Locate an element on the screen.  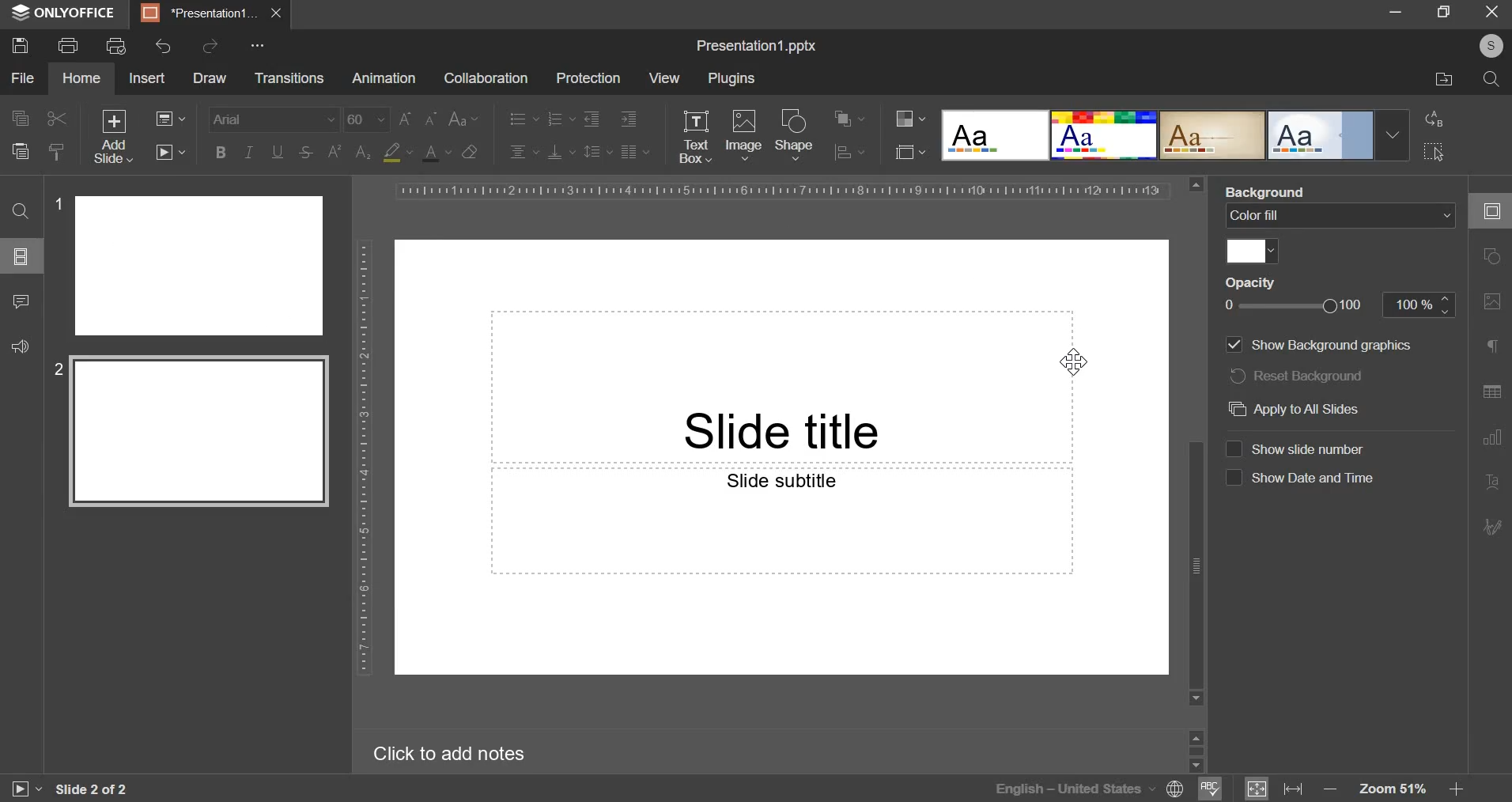
tab 1 is located at coordinates (201, 13).